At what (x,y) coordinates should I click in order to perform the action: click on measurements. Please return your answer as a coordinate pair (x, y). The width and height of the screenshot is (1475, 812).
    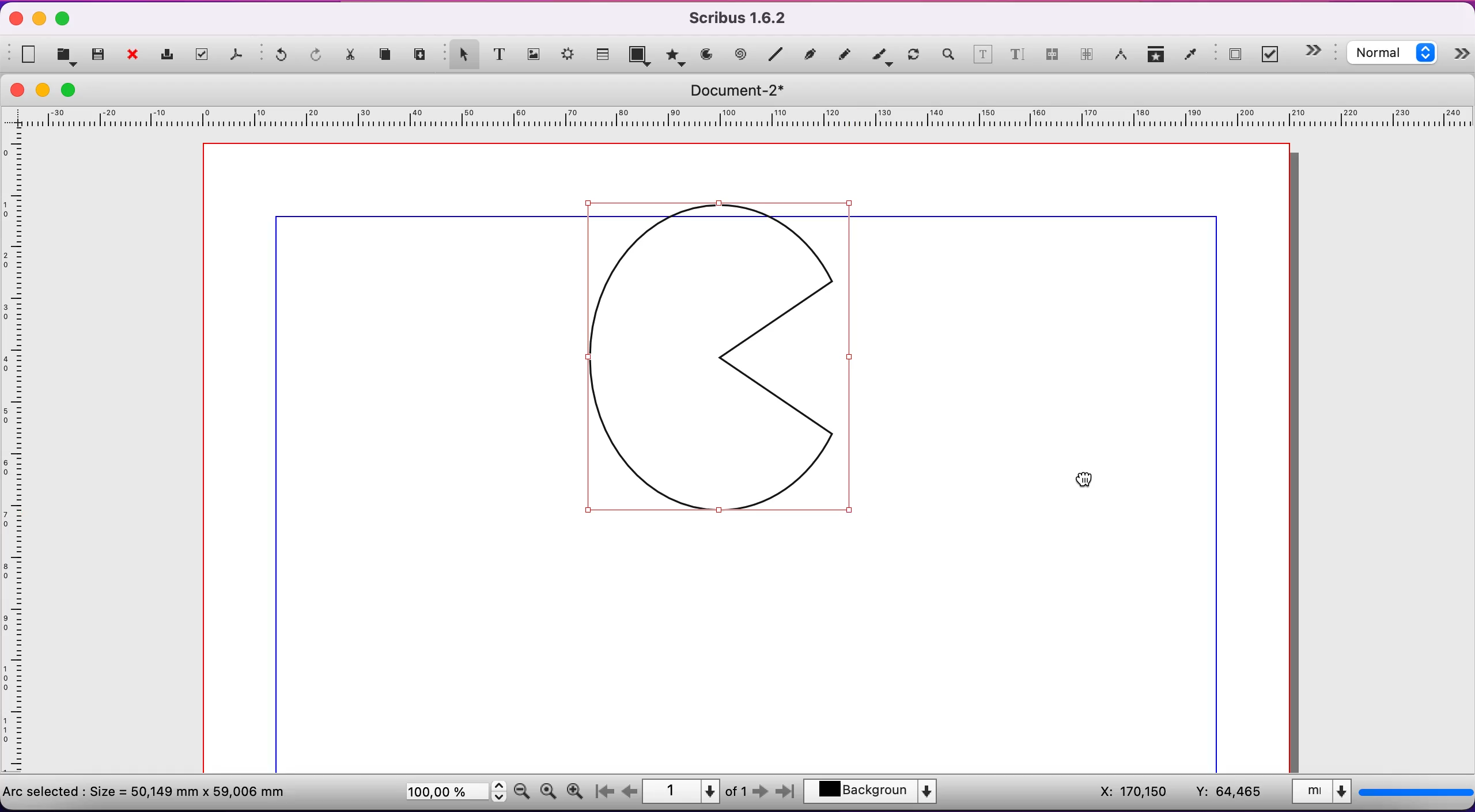
    Looking at the image, I should click on (1121, 56).